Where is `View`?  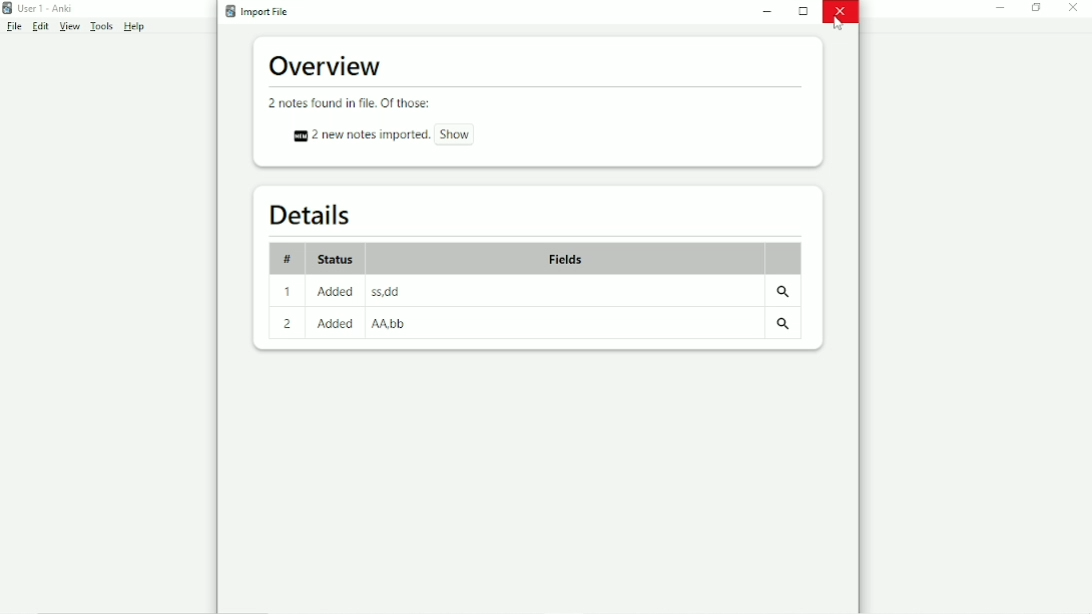
View is located at coordinates (70, 26).